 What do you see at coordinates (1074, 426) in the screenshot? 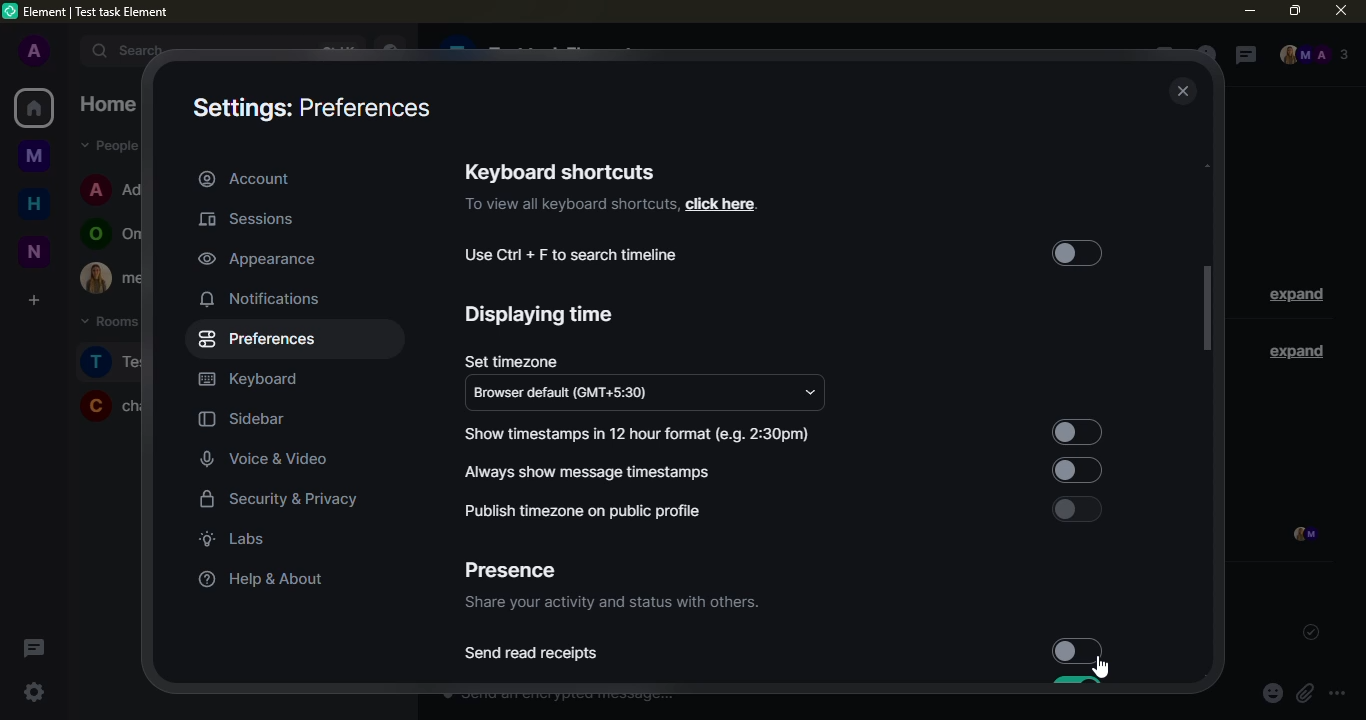
I see `enable` at bounding box center [1074, 426].